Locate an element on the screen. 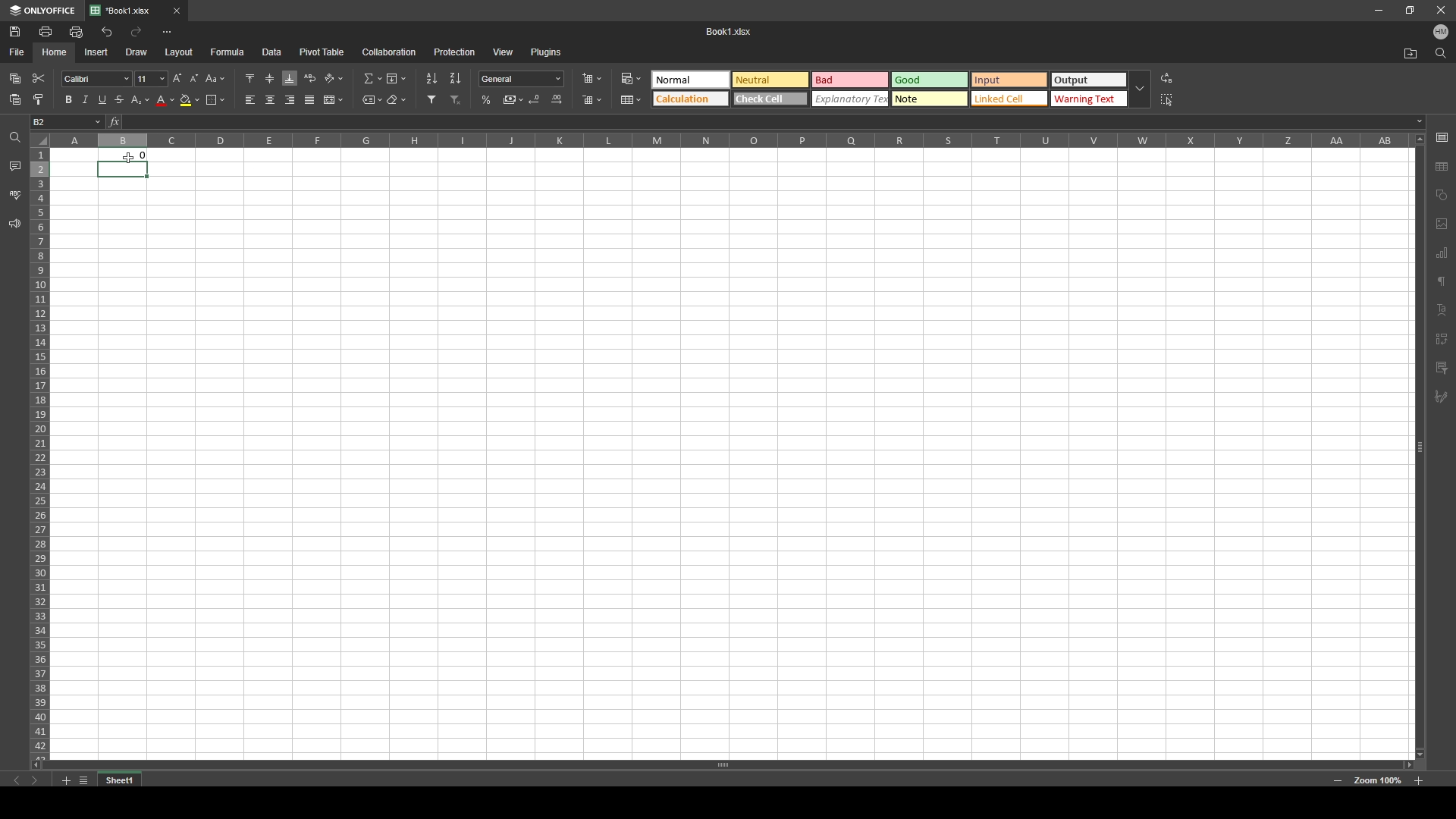 This screenshot has height=819, width=1456. table is located at coordinates (632, 99).